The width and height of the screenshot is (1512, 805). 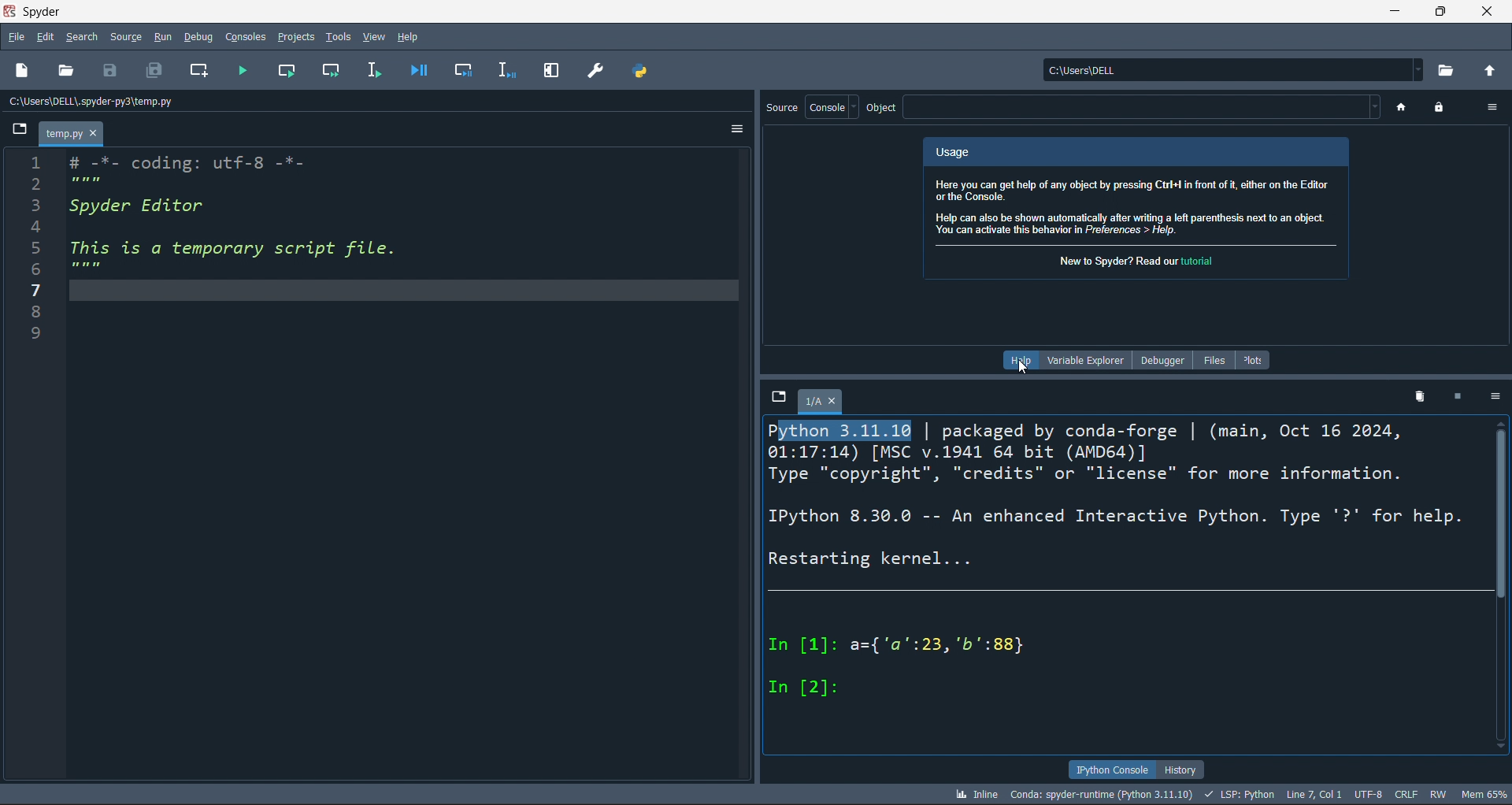 I want to click on minimize, so click(x=1392, y=13).